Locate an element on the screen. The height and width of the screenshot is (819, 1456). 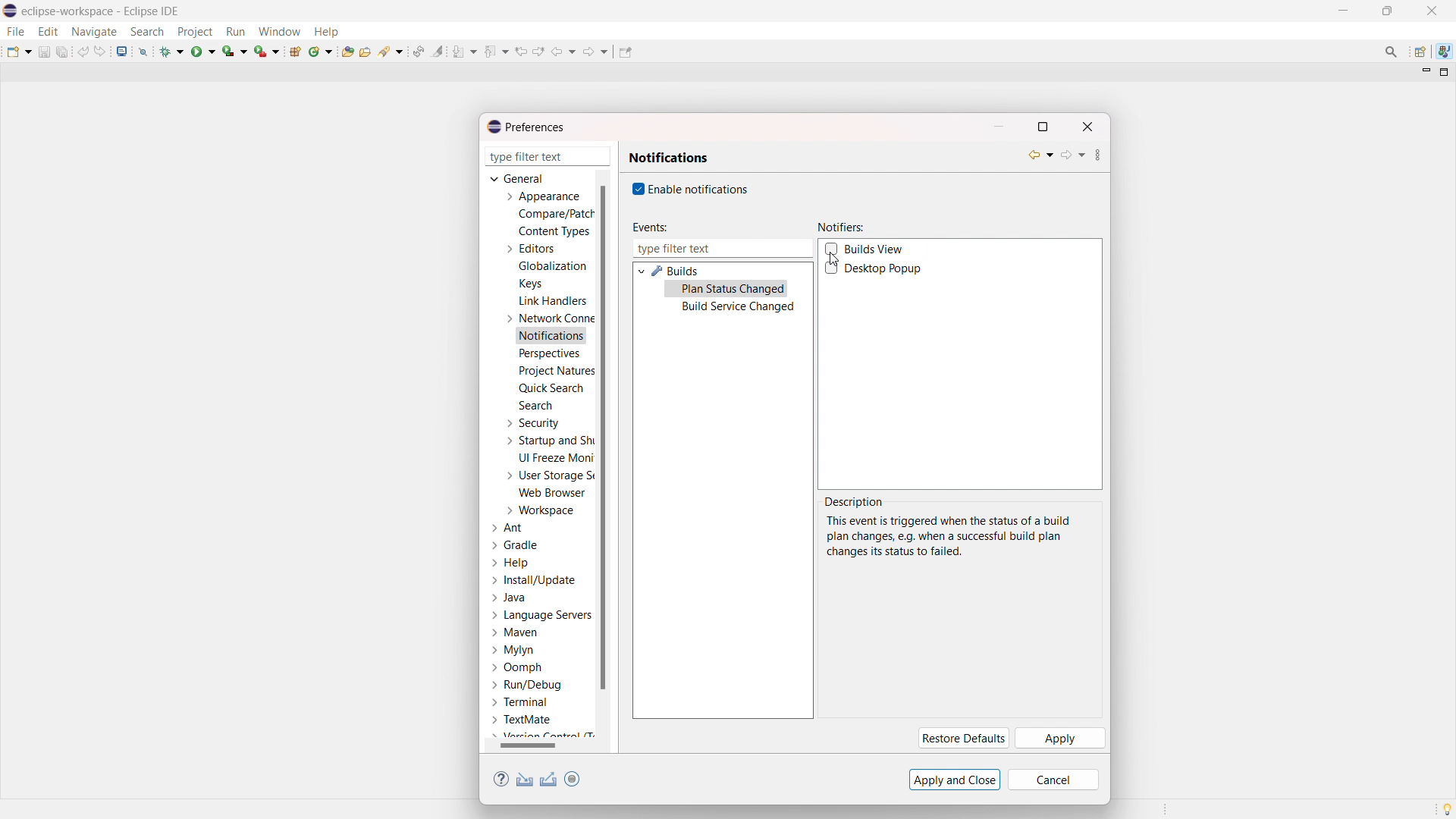
open perspective is located at coordinates (1419, 52).